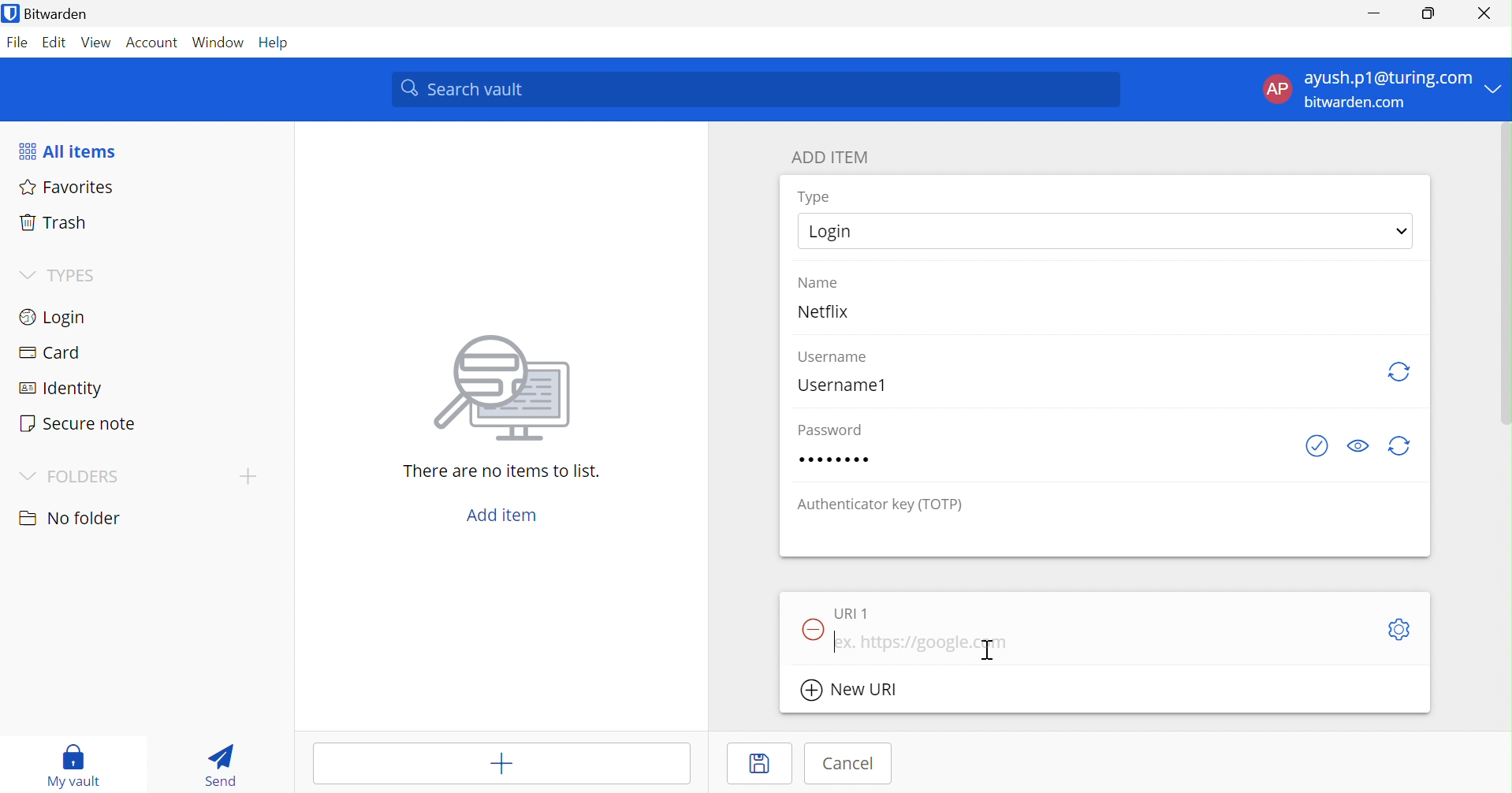  I want to click on Help, so click(275, 43).